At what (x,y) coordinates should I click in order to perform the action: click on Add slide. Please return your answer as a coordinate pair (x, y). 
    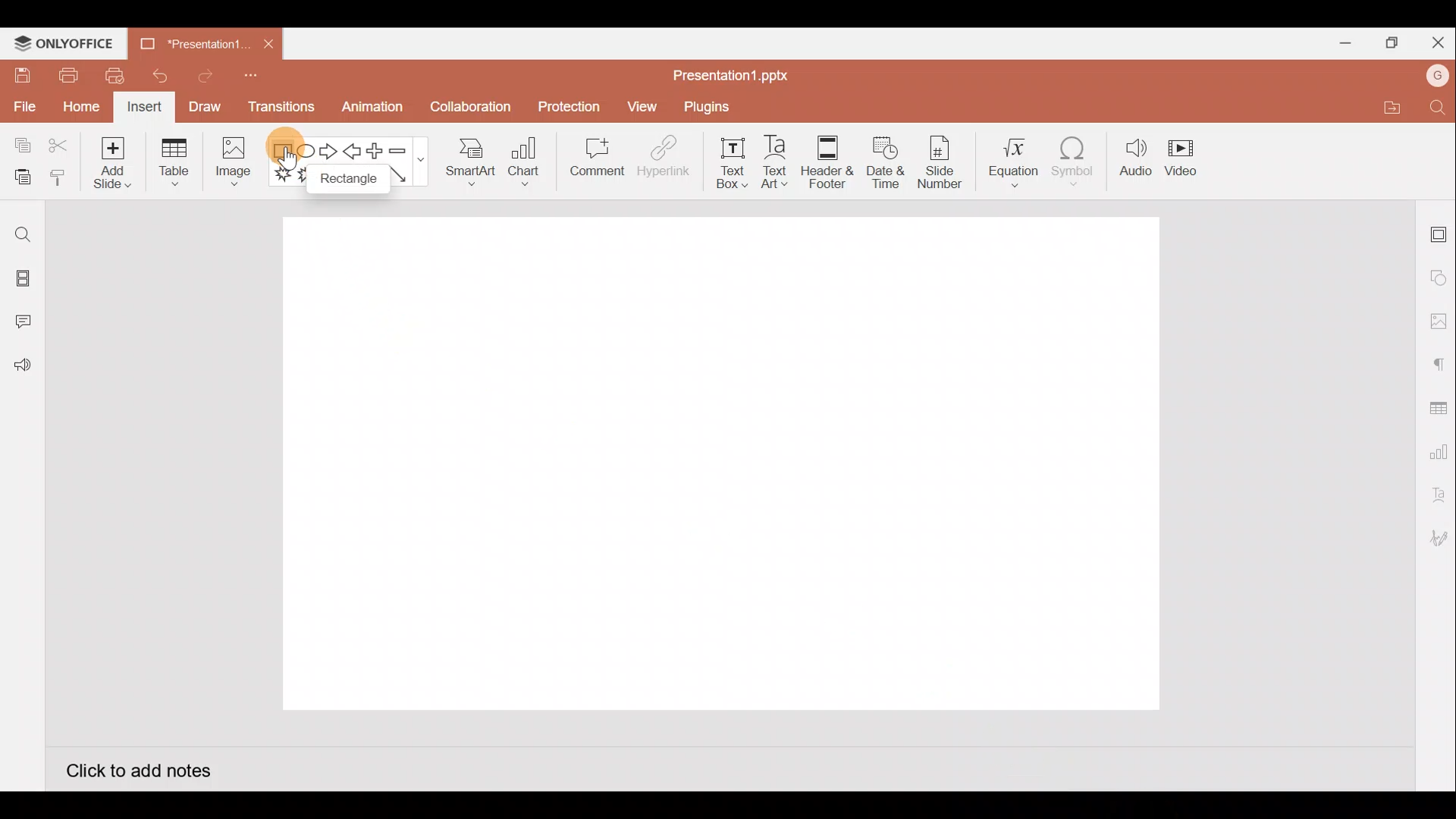
    Looking at the image, I should click on (110, 159).